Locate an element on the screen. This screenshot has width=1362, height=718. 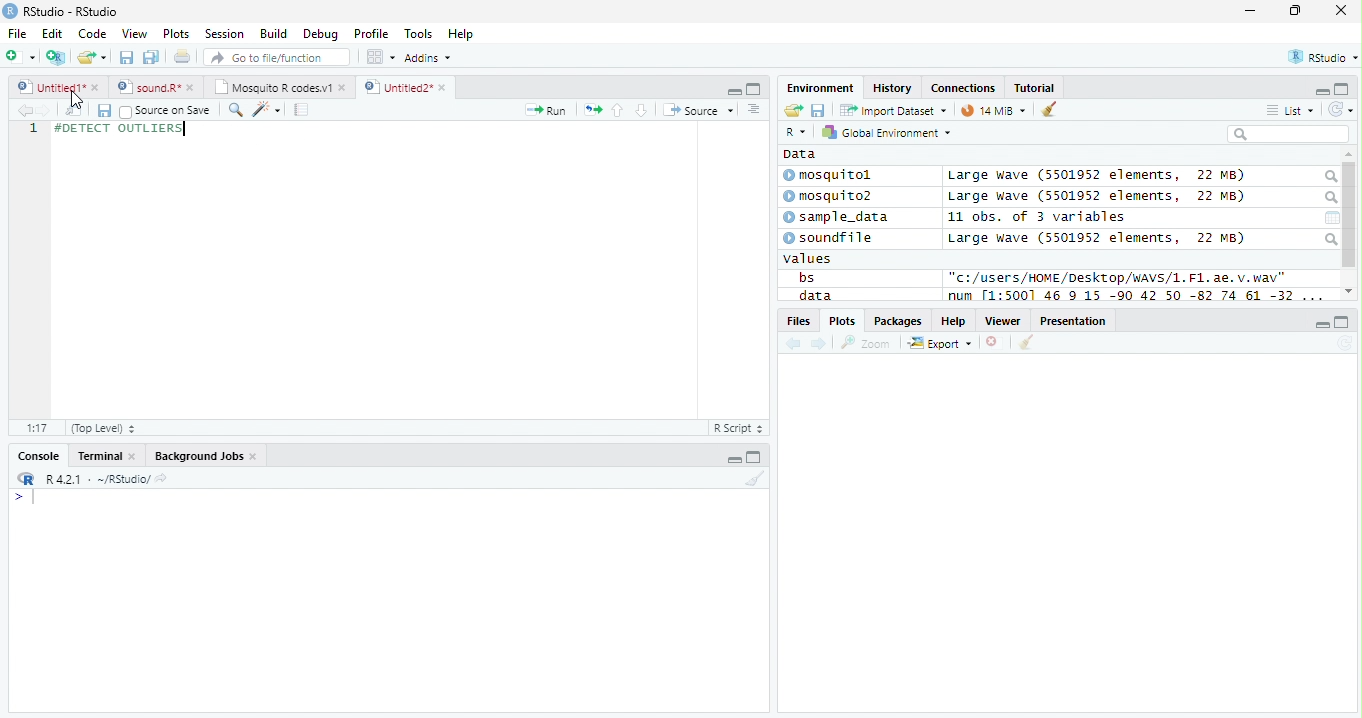
Show in new window is located at coordinates (74, 111).